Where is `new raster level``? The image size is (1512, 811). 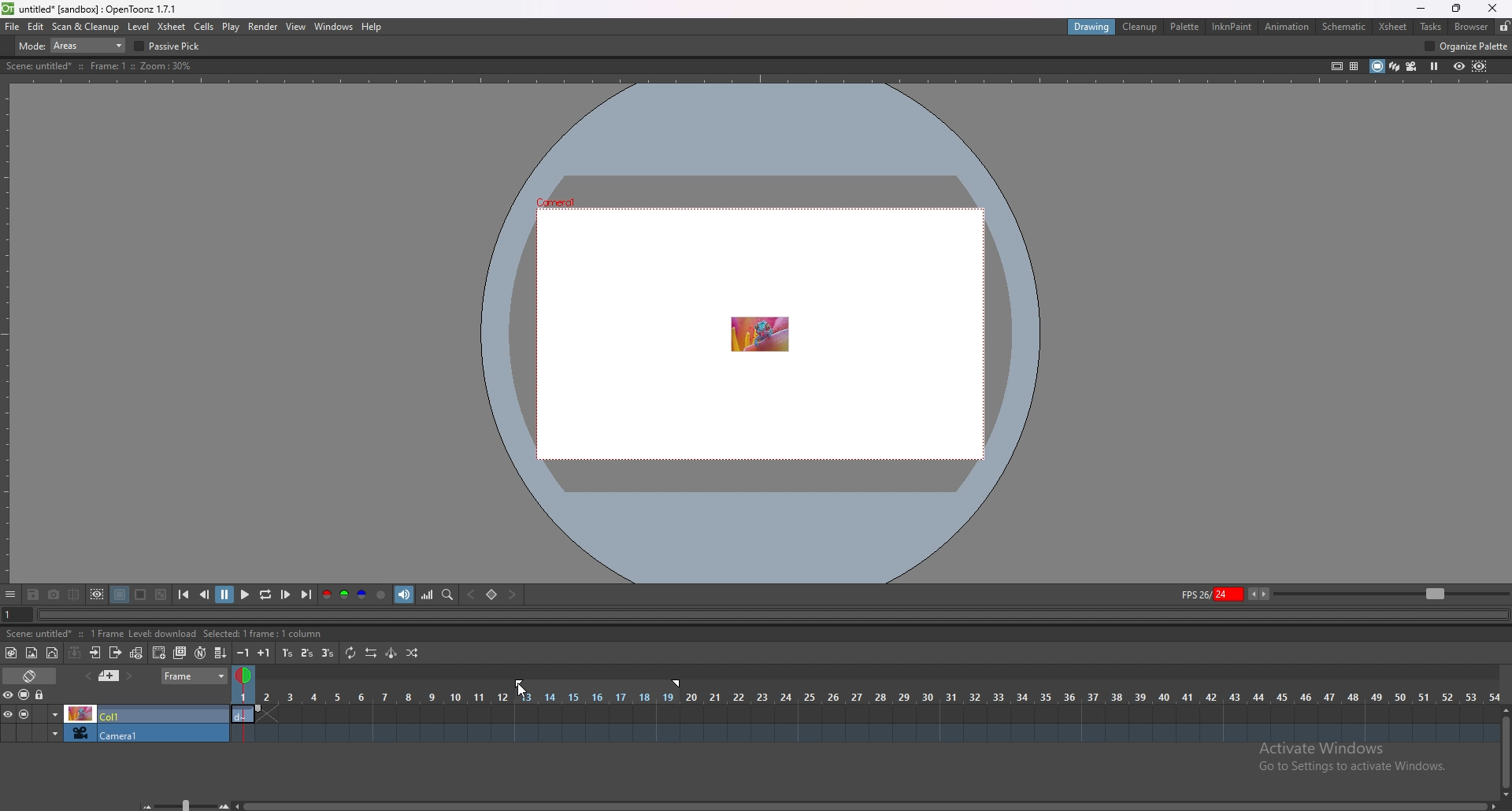
new raster level` is located at coordinates (31, 653).